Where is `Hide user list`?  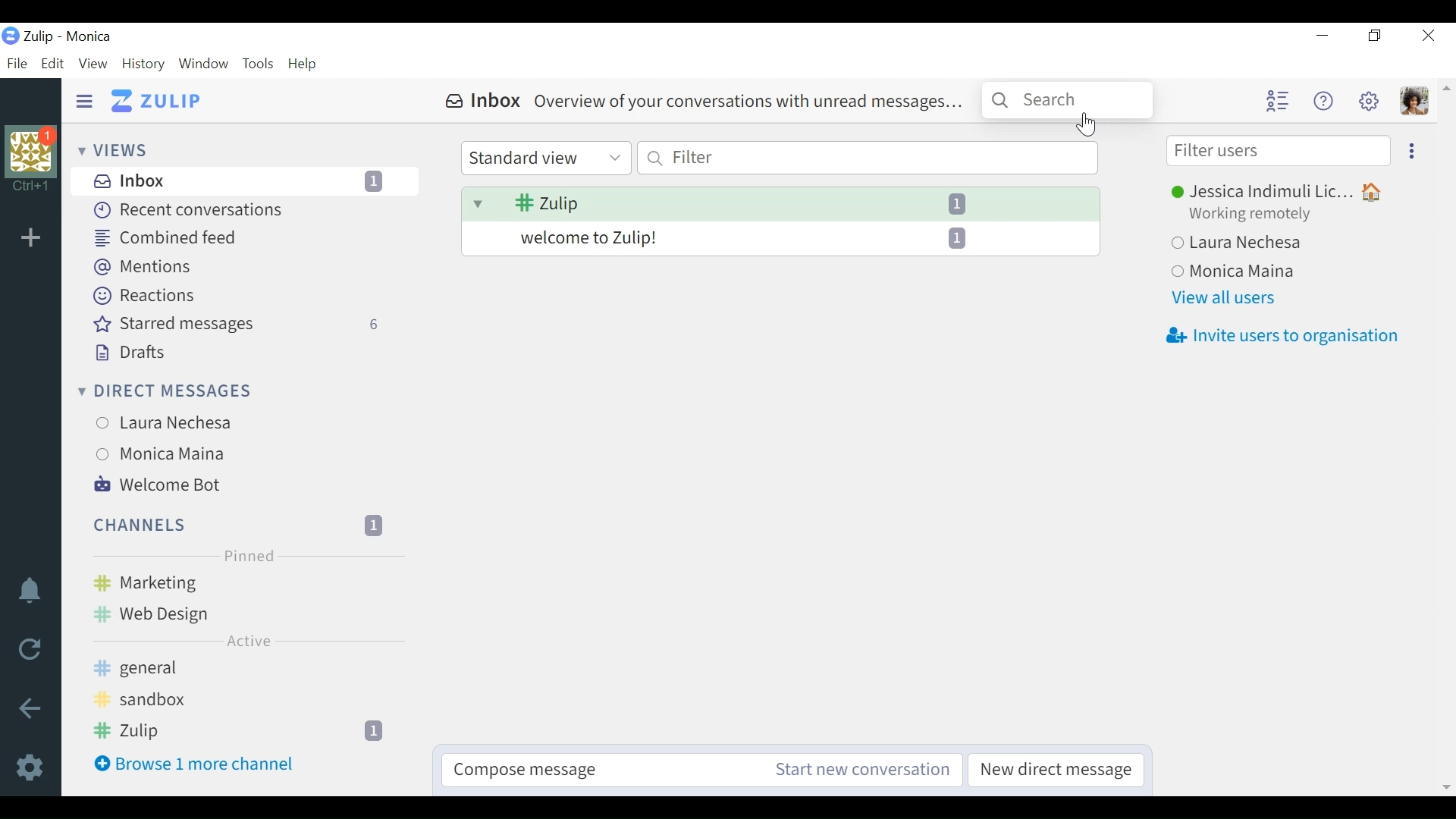
Hide user list is located at coordinates (1277, 100).